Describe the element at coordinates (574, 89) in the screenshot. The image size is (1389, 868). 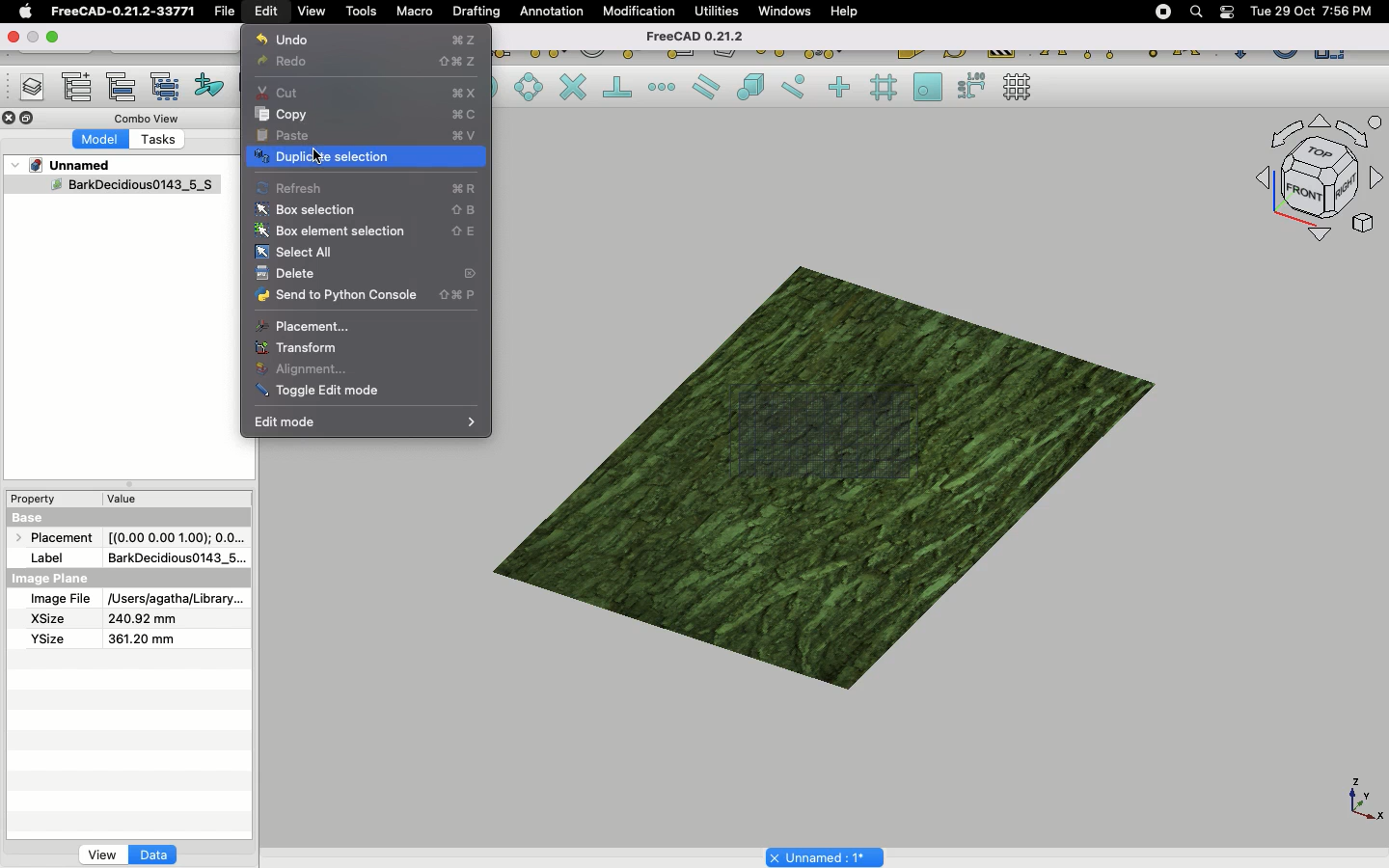
I see `Snap intersection` at that location.